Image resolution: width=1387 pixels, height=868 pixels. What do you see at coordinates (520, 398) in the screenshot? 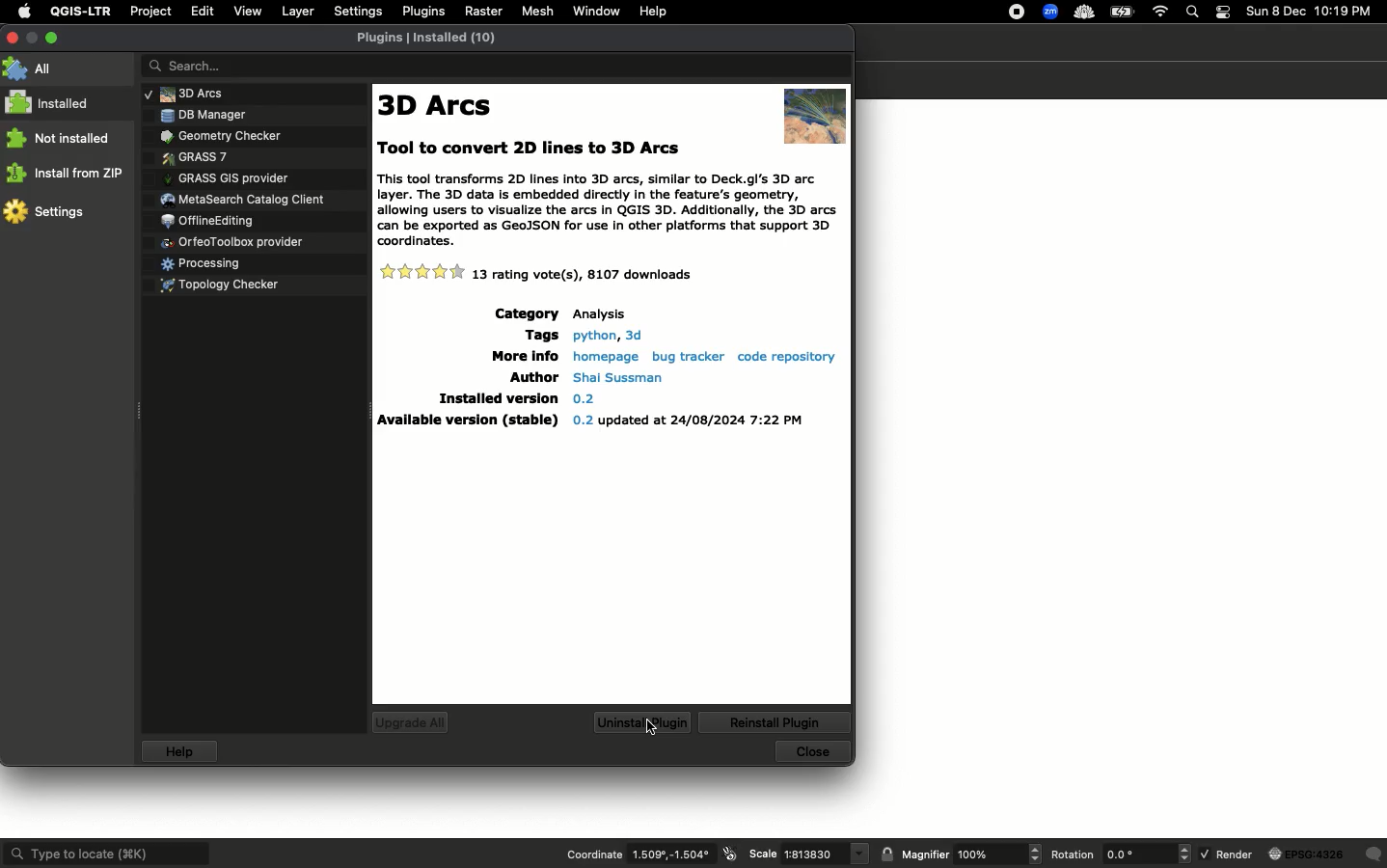
I see `Details` at bounding box center [520, 398].